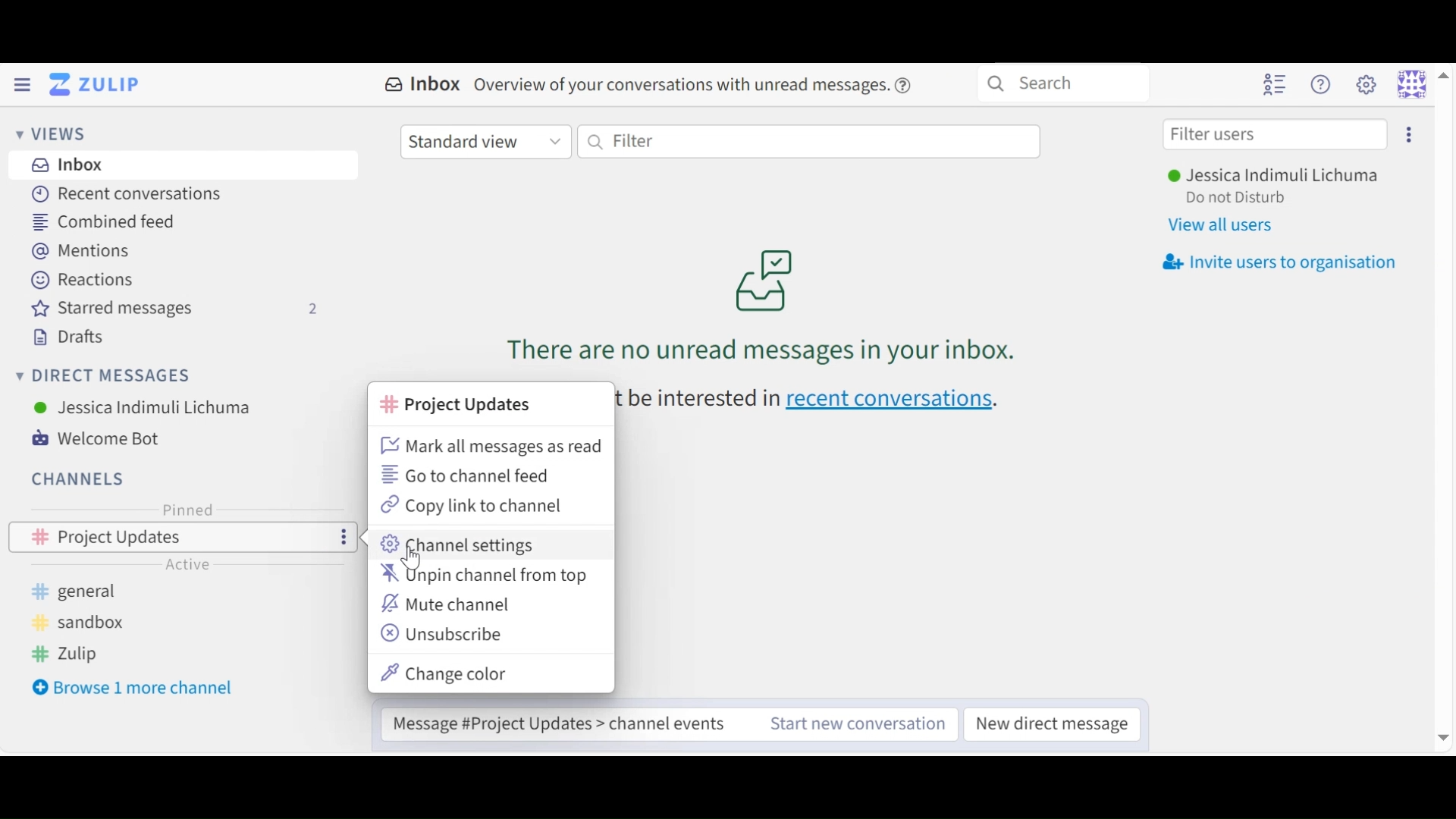  I want to click on Compose message, so click(565, 724).